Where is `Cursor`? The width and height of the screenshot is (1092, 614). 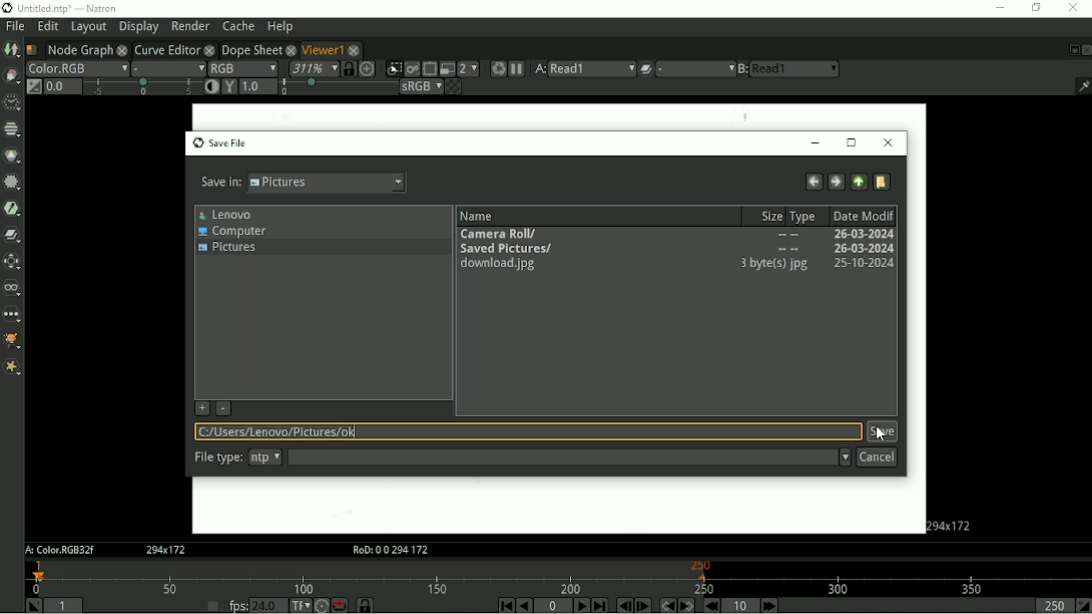
Cursor is located at coordinates (878, 435).